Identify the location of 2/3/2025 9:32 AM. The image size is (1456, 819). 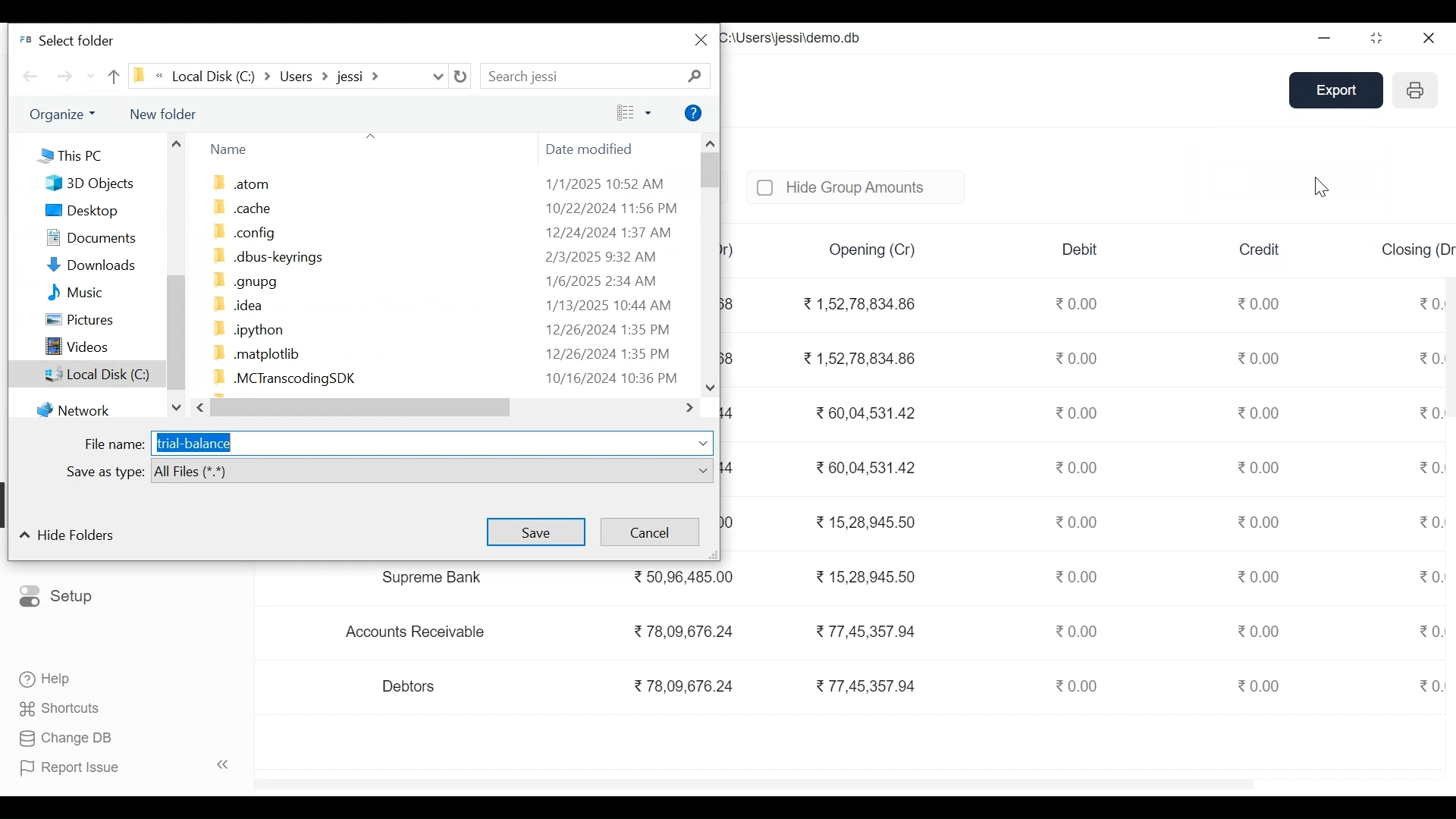
(601, 257).